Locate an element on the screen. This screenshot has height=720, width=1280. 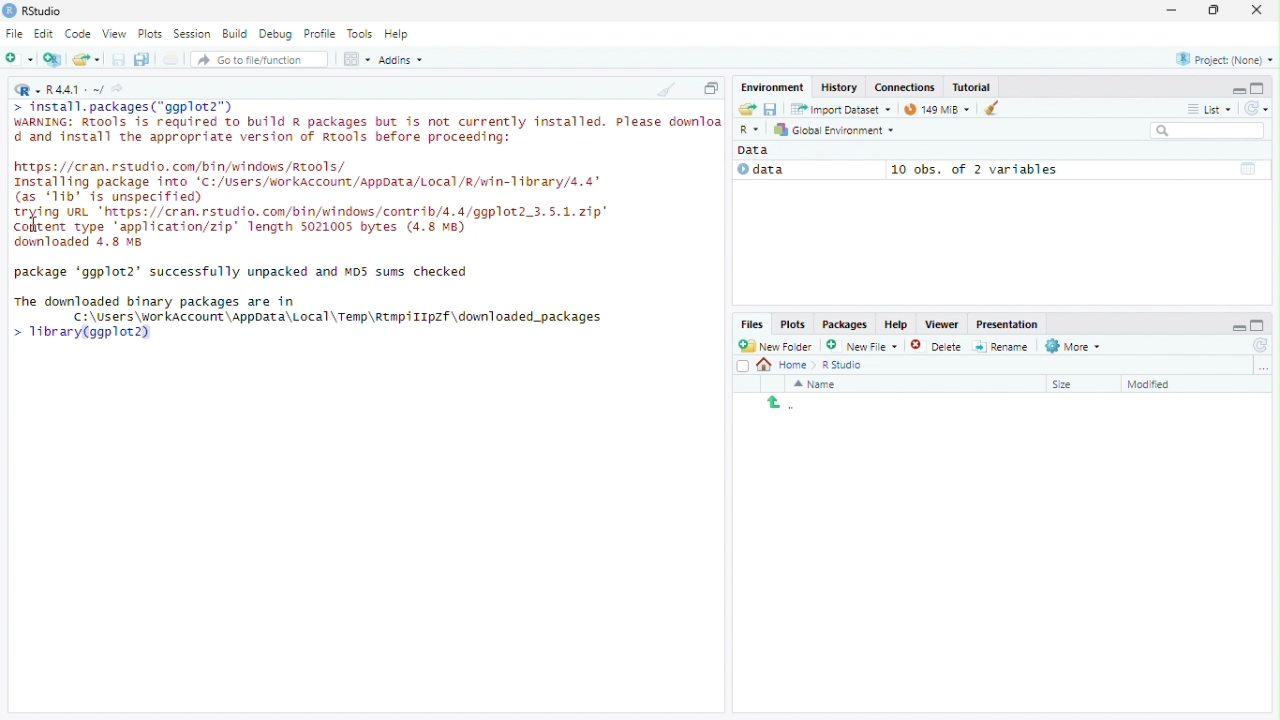
Clear console is located at coordinates (665, 89).